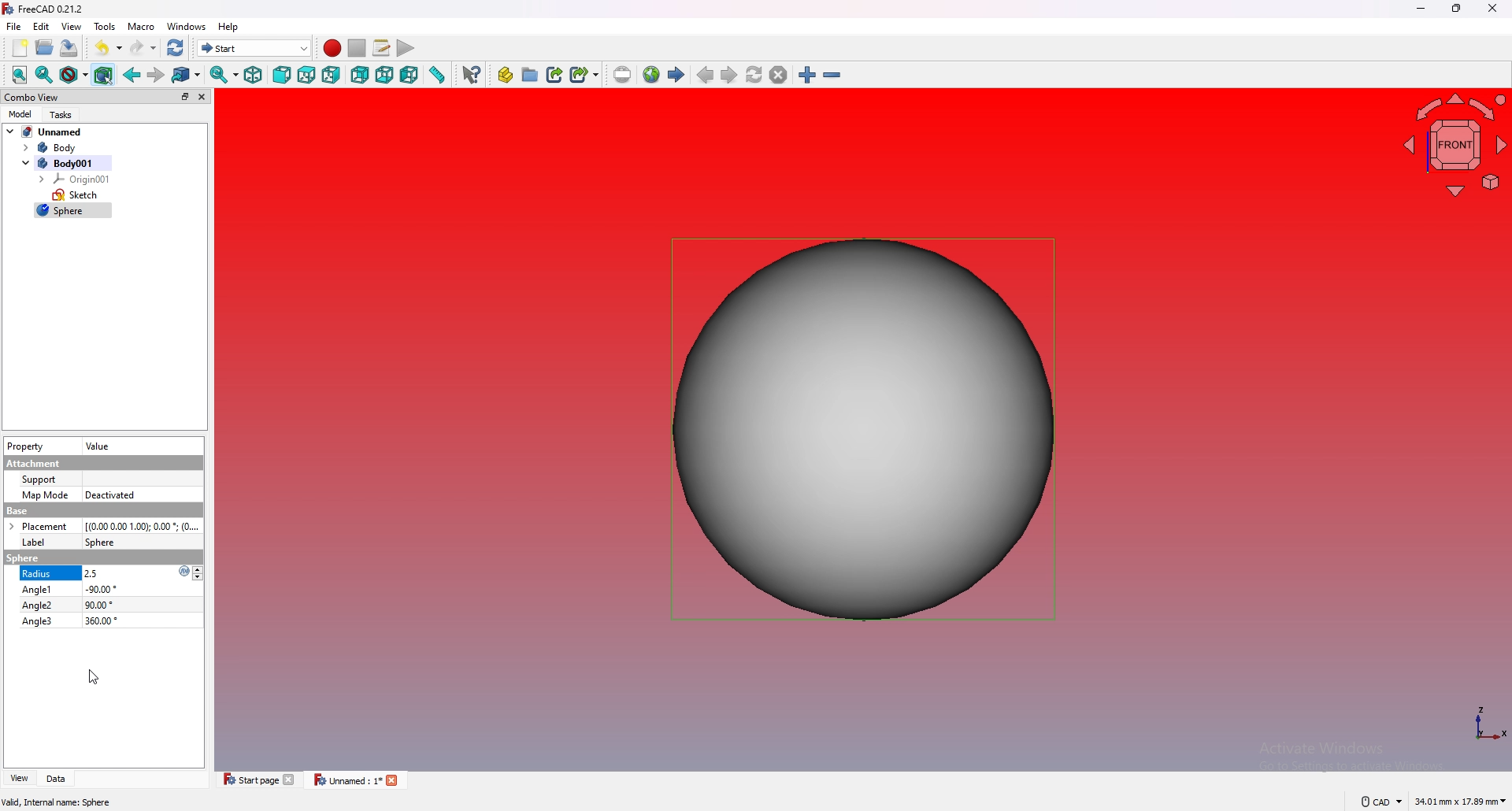 The width and height of the screenshot is (1512, 811). Describe the element at coordinates (506, 75) in the screenshot. I see `create part` at that location.